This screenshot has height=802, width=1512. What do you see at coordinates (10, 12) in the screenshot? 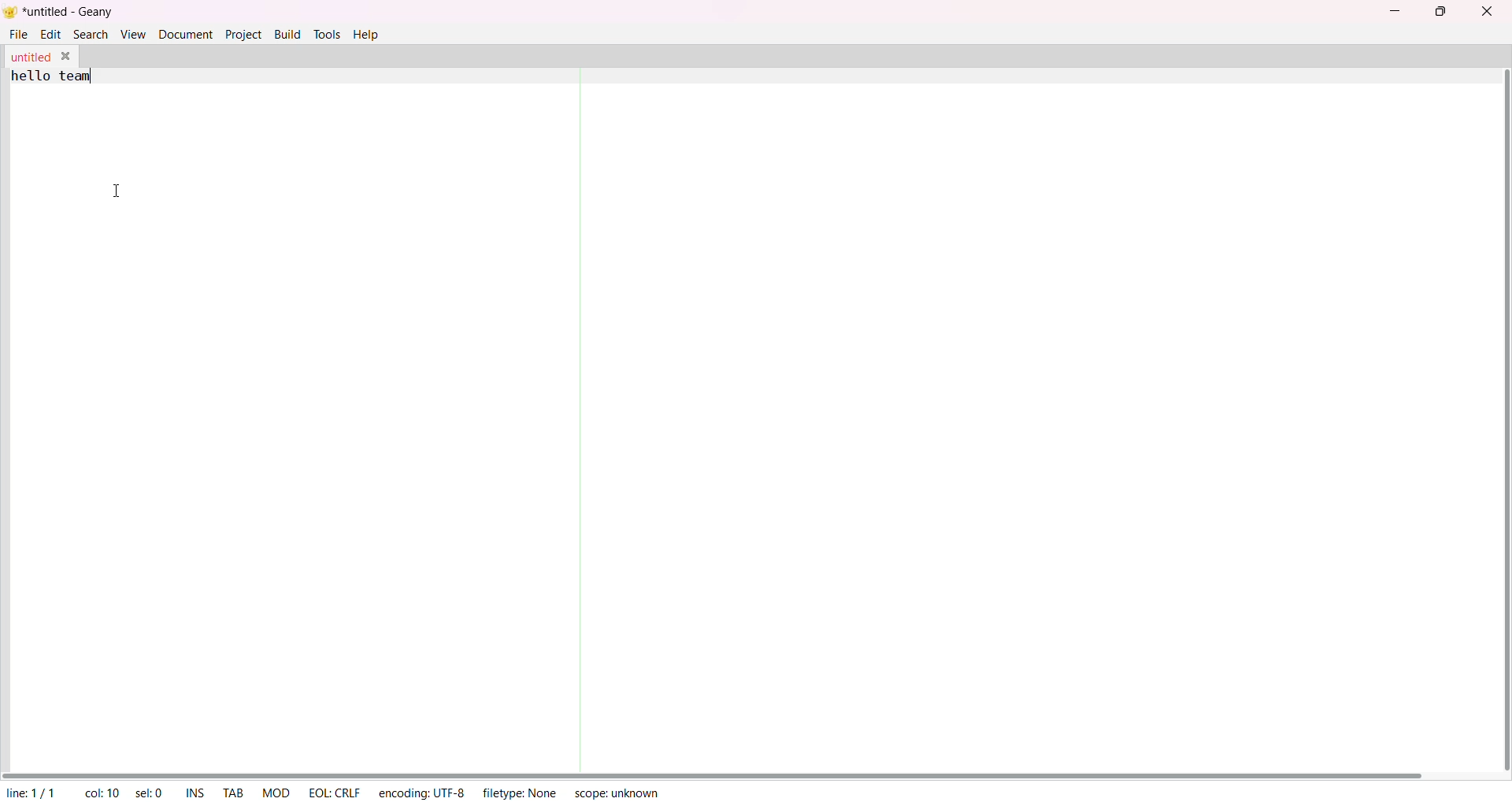
I see `logo` at bounding box center [10, 12].